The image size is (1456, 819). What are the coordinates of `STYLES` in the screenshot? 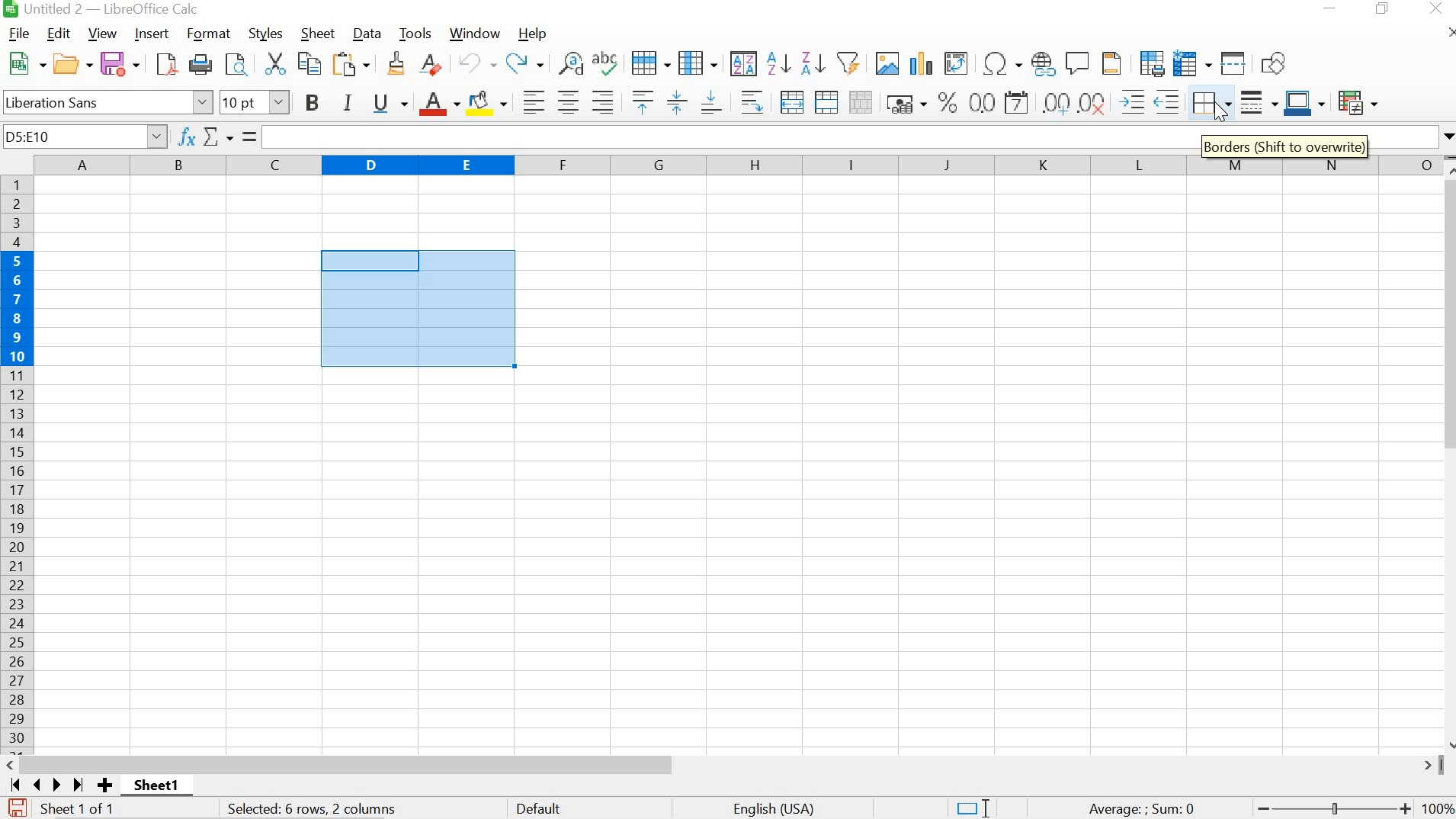 It's located at (267, 34).